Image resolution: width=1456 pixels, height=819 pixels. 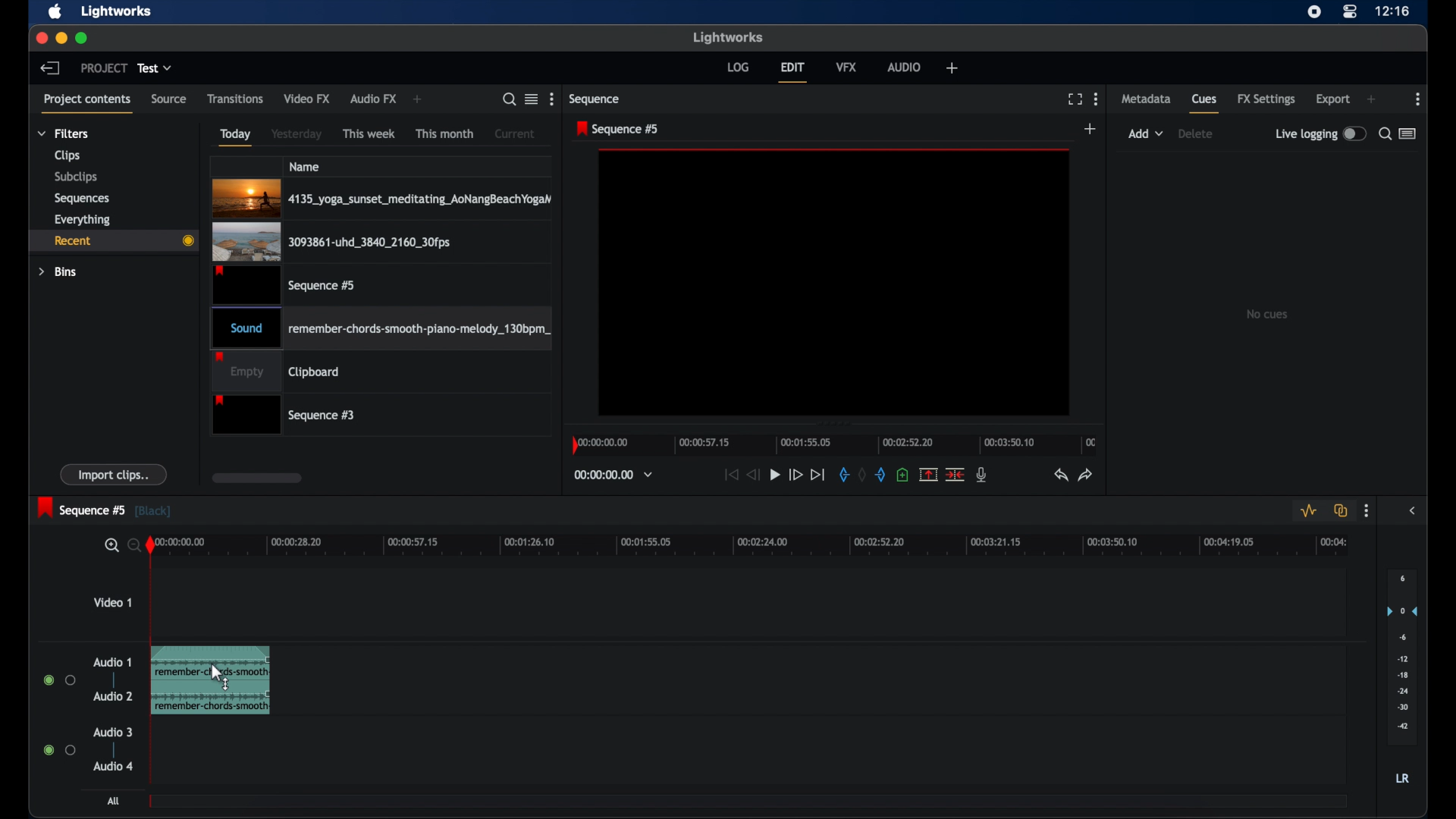 I want to click on sequence, so click(x=597, y=99).